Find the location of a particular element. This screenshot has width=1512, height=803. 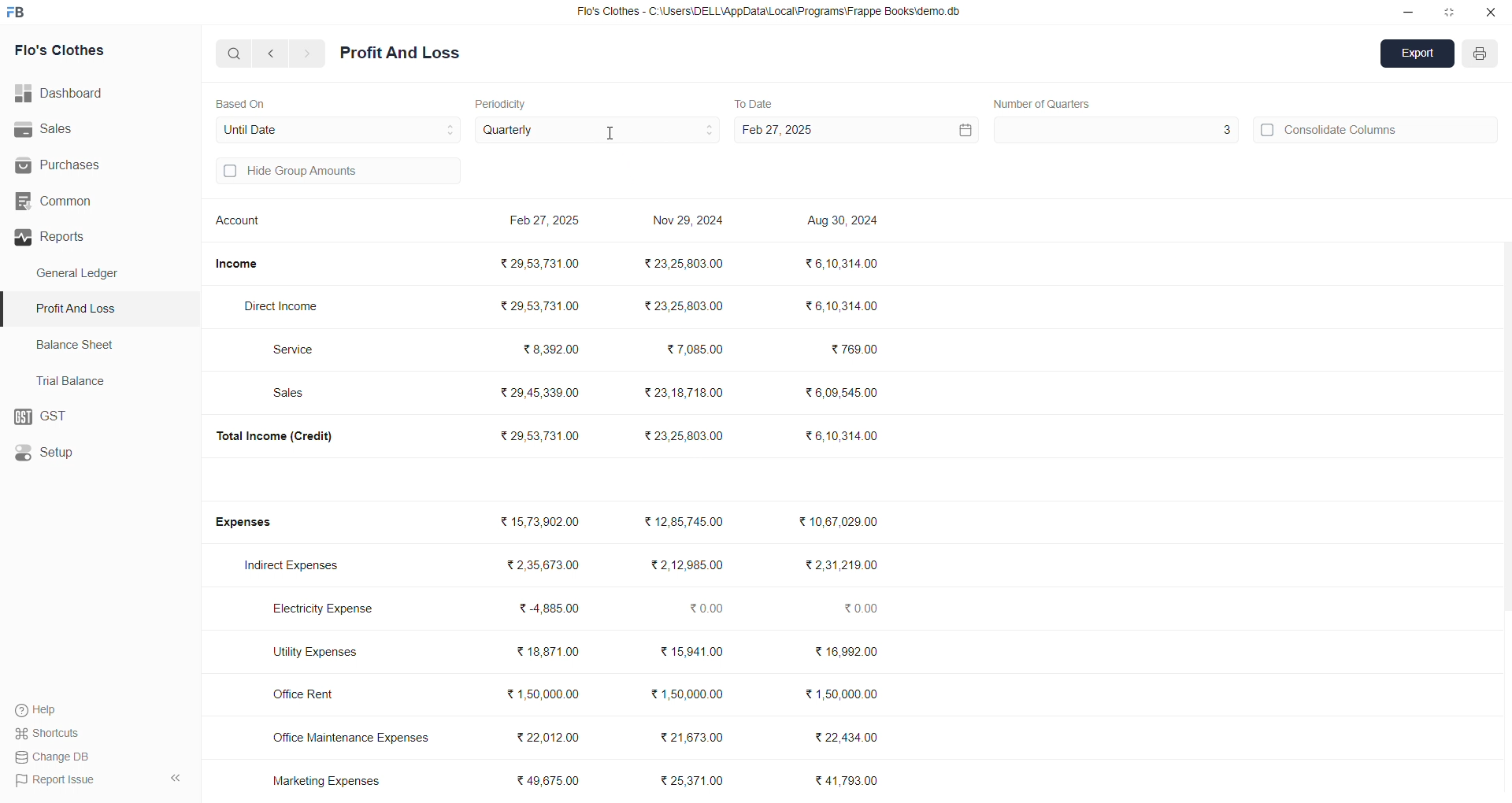

₹1,50,000.00 is located at coordinates (847, 694).